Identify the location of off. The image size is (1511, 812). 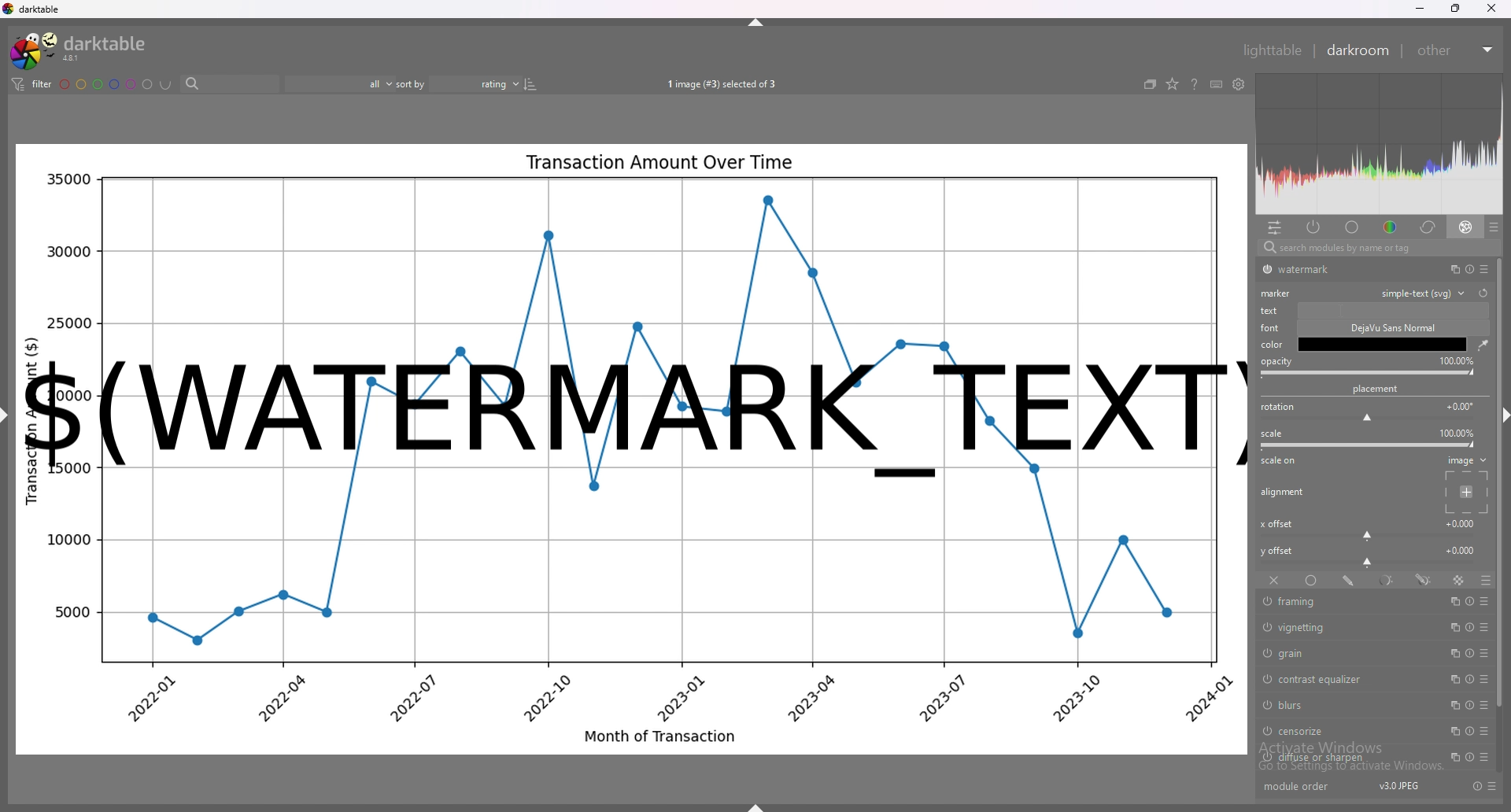
(1273, 581).